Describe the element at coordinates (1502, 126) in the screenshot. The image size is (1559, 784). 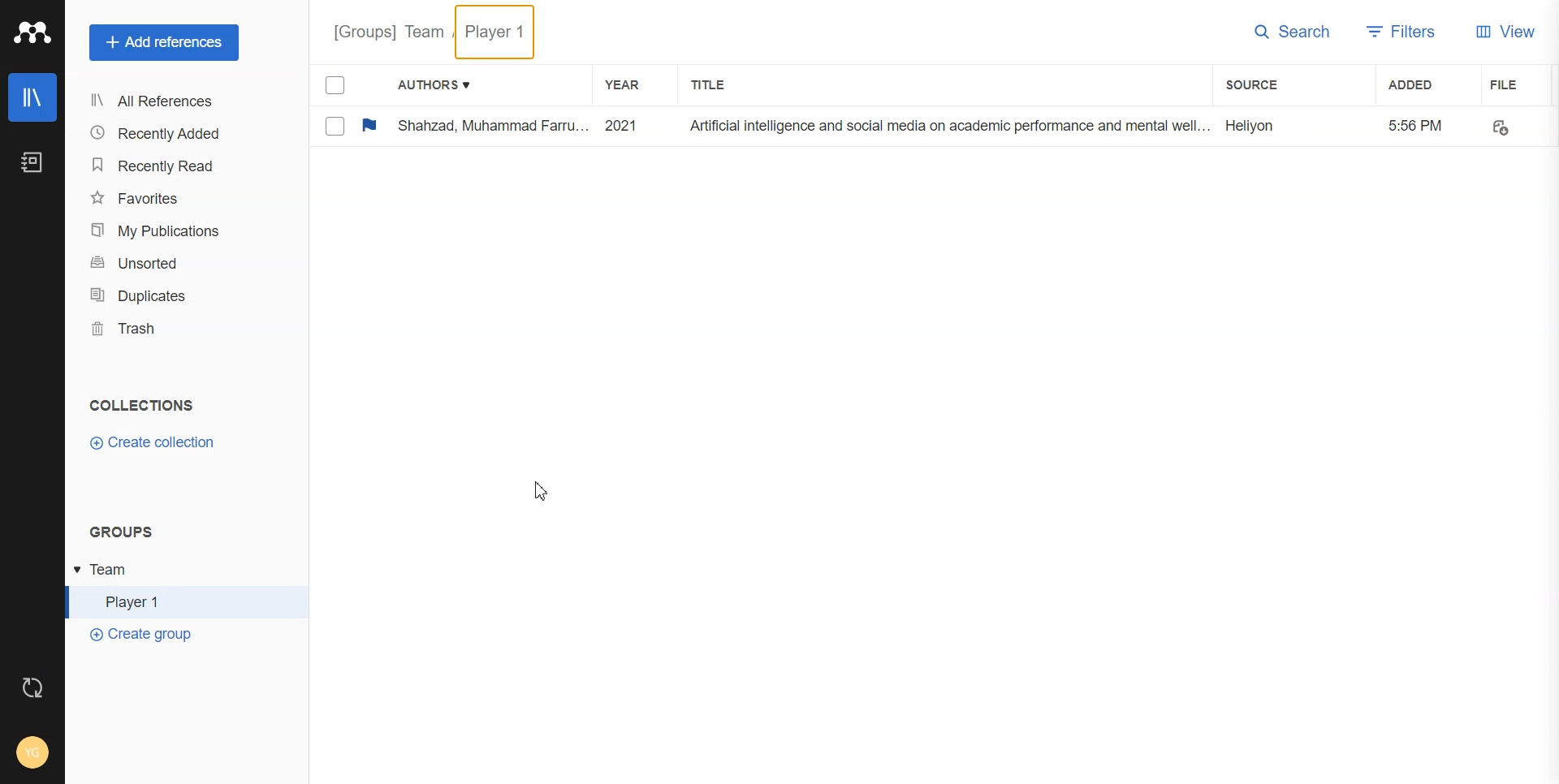
I see `File Available to download` at that location.